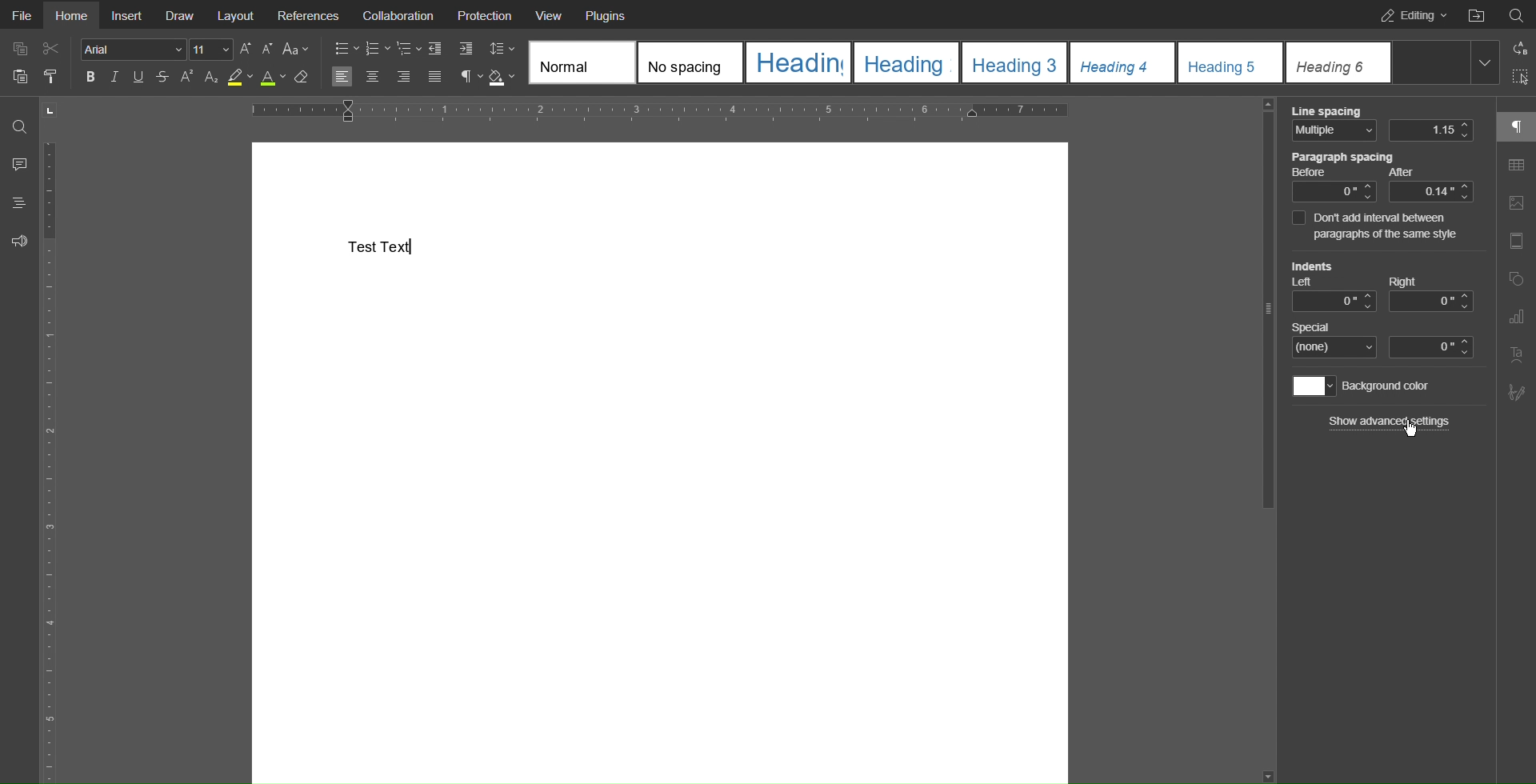  I want to click on Test Text, so click(380, 246).